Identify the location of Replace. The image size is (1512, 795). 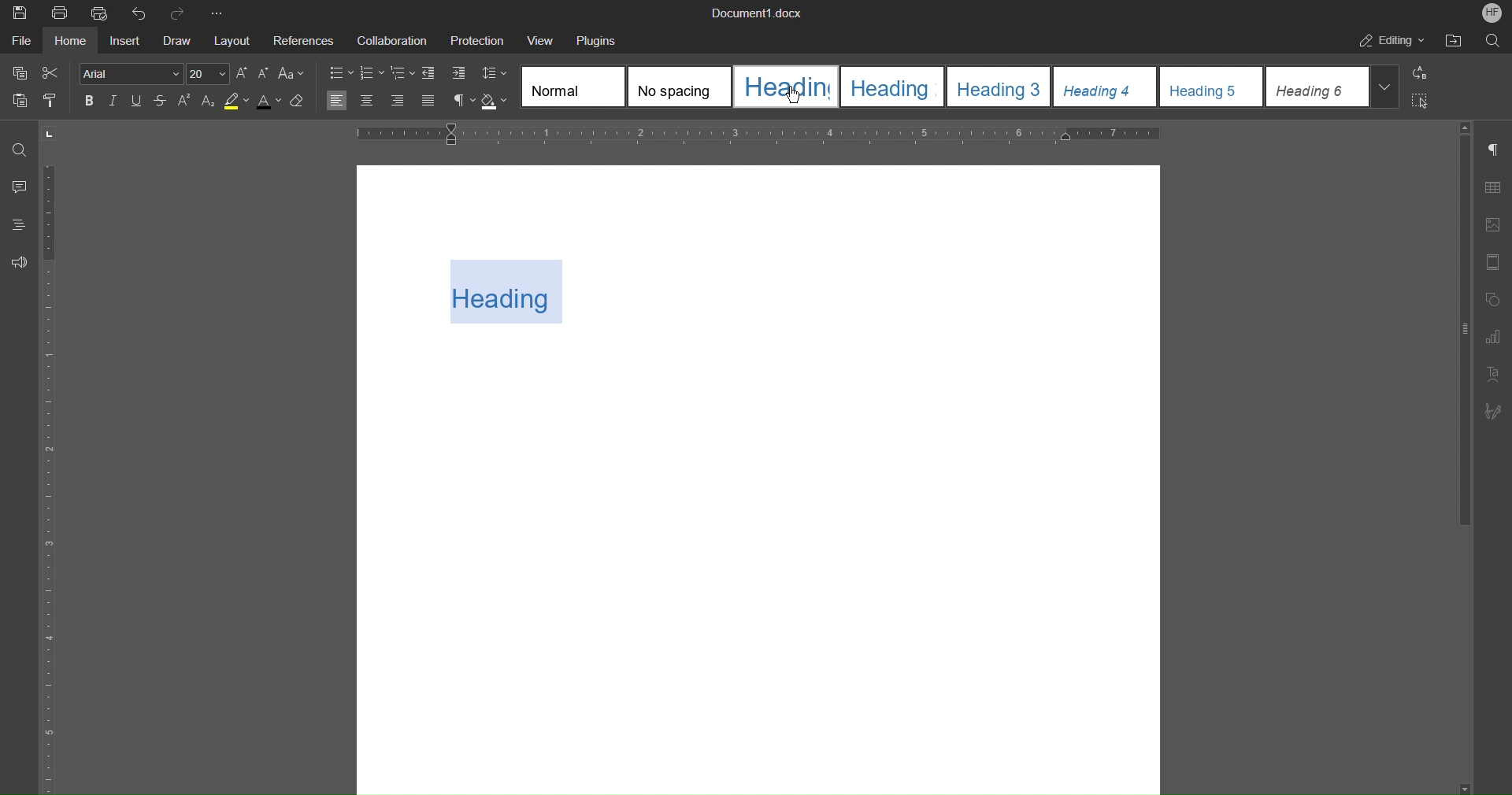
(1421, 73).